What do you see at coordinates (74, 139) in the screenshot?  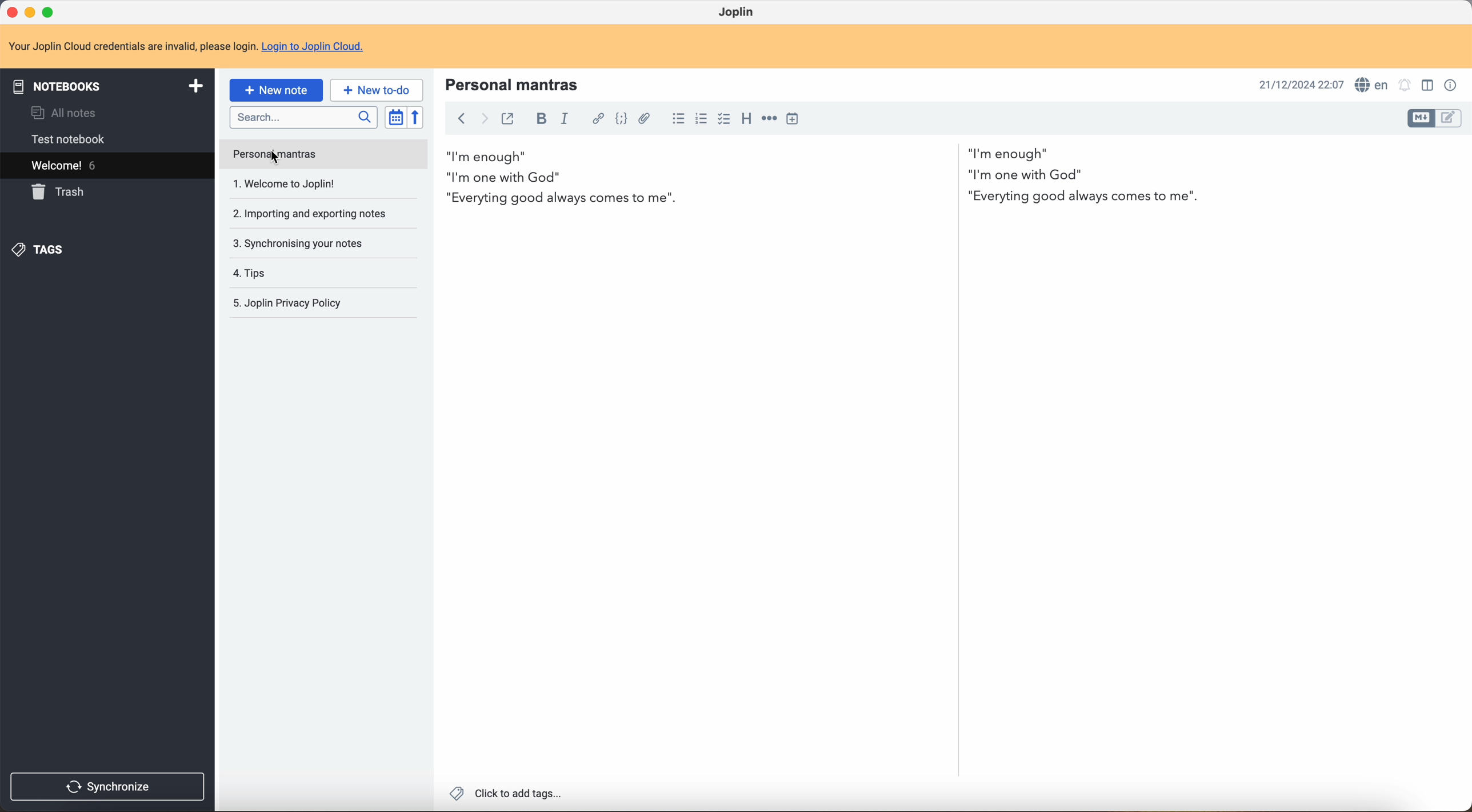 I see `test notebook` at bounding box center [74, 139].